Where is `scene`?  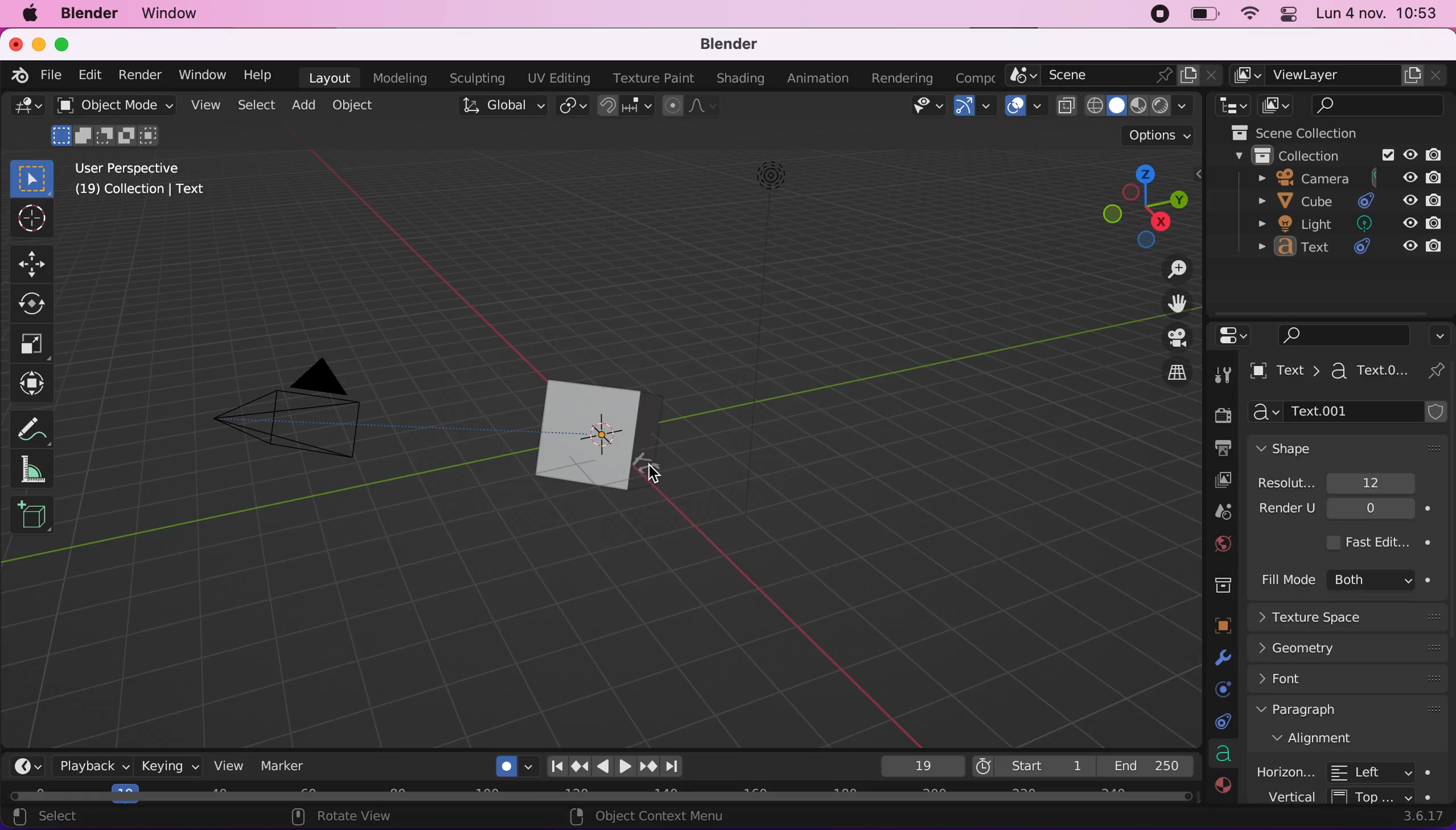
scene is located at coordinates (1118, 76).